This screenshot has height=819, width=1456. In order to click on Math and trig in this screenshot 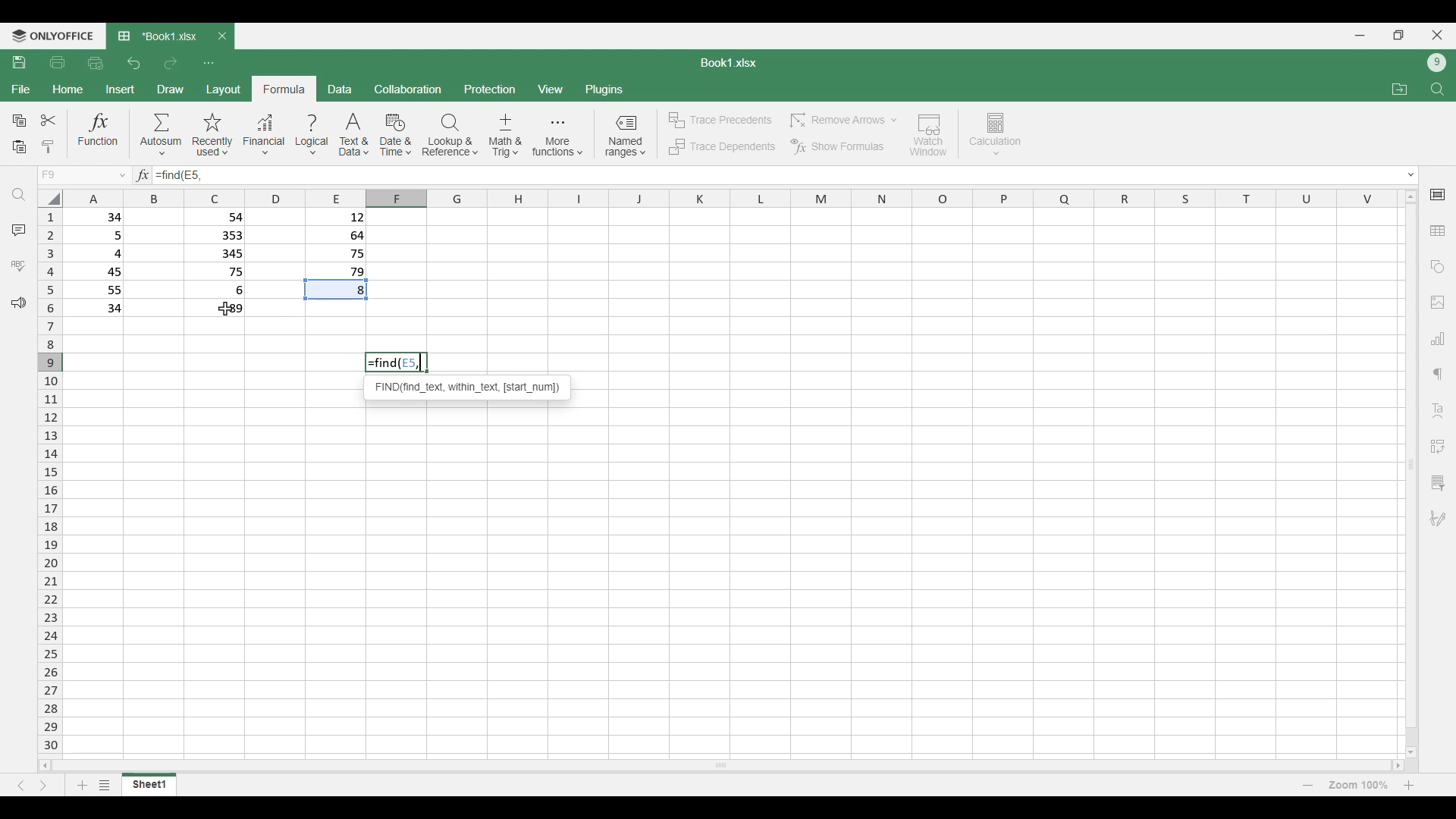, I will do `click(505, 135)`.